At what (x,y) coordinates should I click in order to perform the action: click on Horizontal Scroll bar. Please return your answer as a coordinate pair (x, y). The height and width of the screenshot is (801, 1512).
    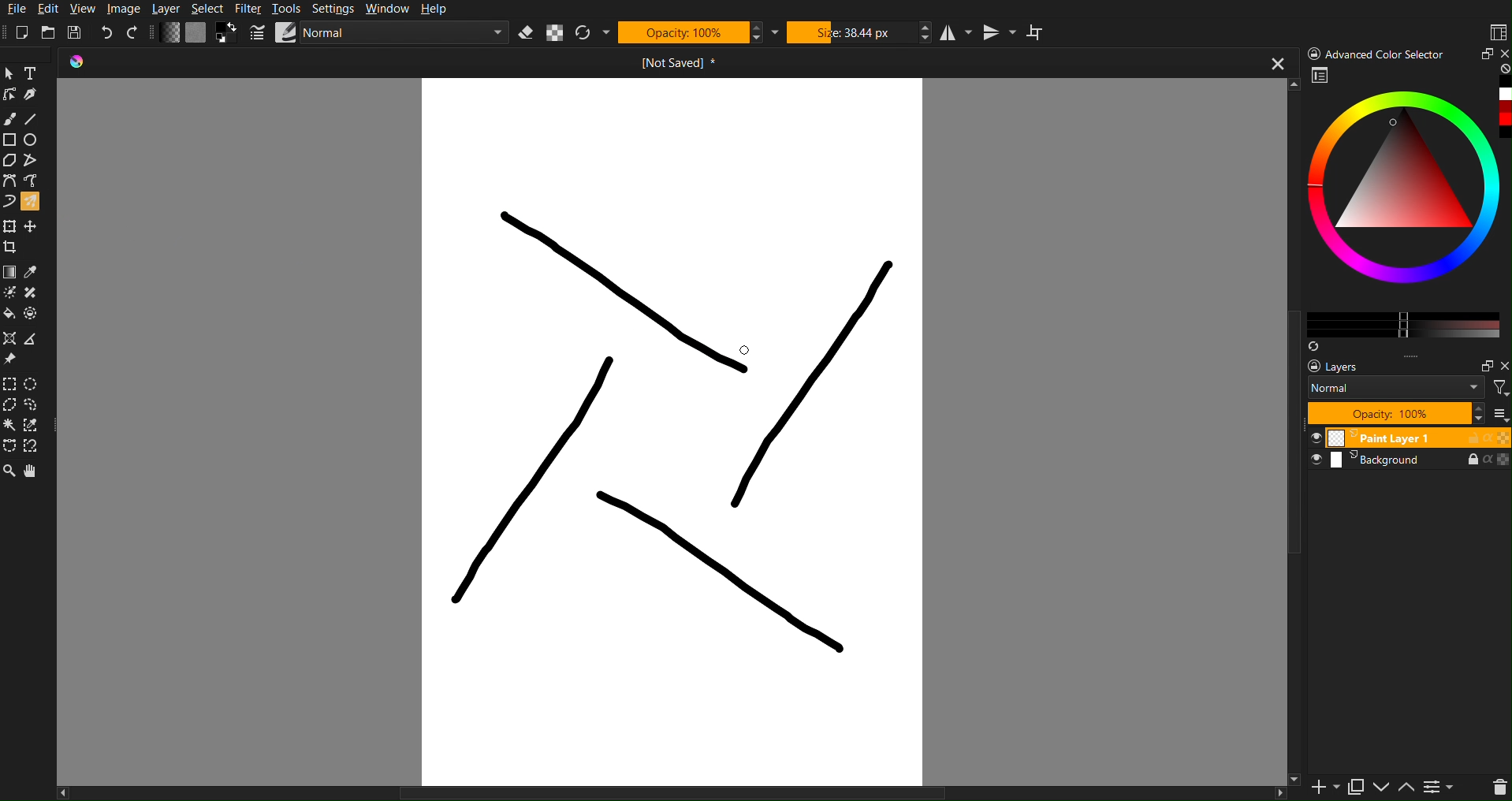
    Looking at the image, I should click on (644, 792).